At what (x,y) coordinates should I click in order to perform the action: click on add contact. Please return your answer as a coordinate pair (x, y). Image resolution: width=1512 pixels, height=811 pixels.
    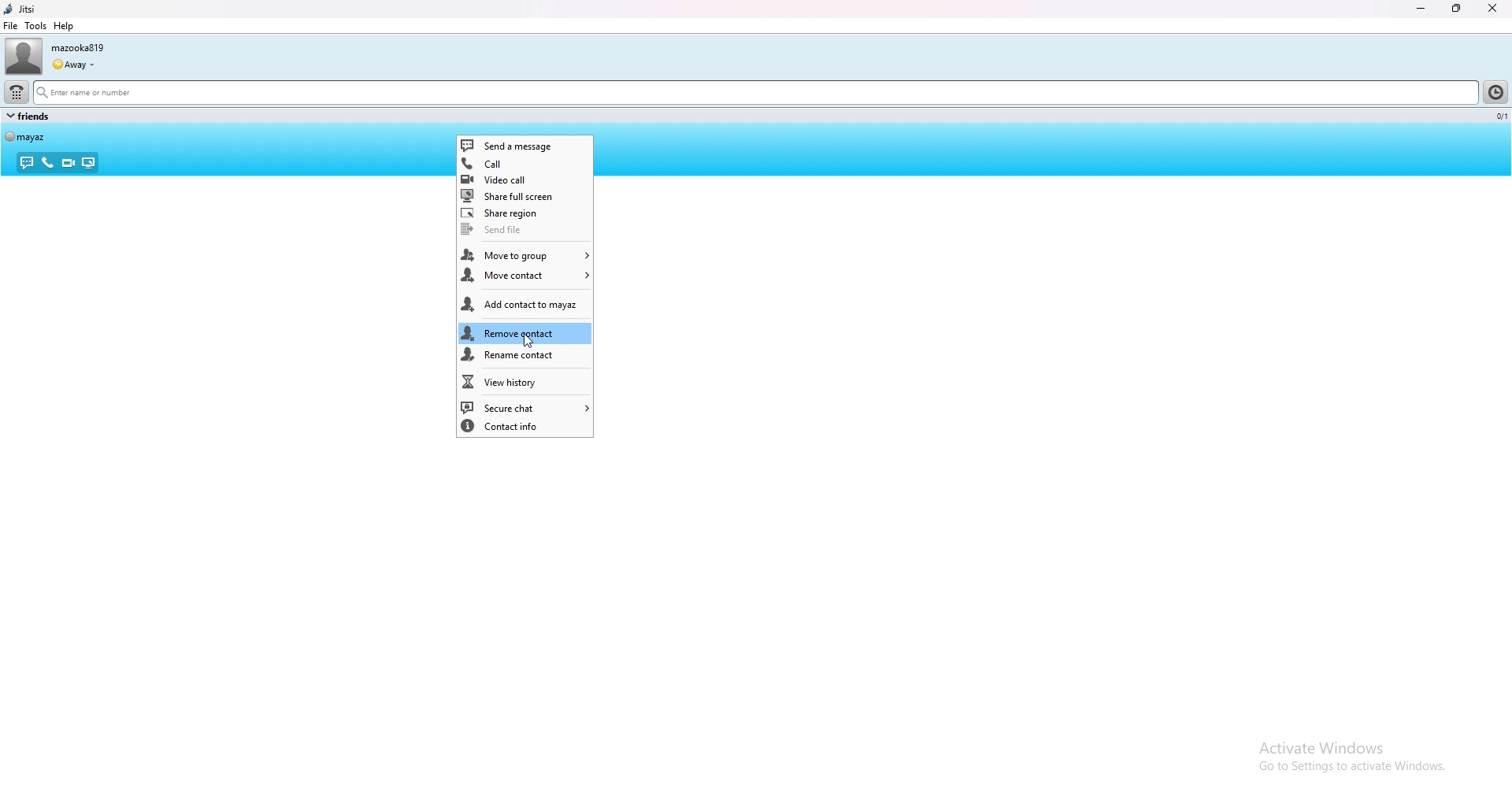
    Looking at the image, I should click on (524, 306).